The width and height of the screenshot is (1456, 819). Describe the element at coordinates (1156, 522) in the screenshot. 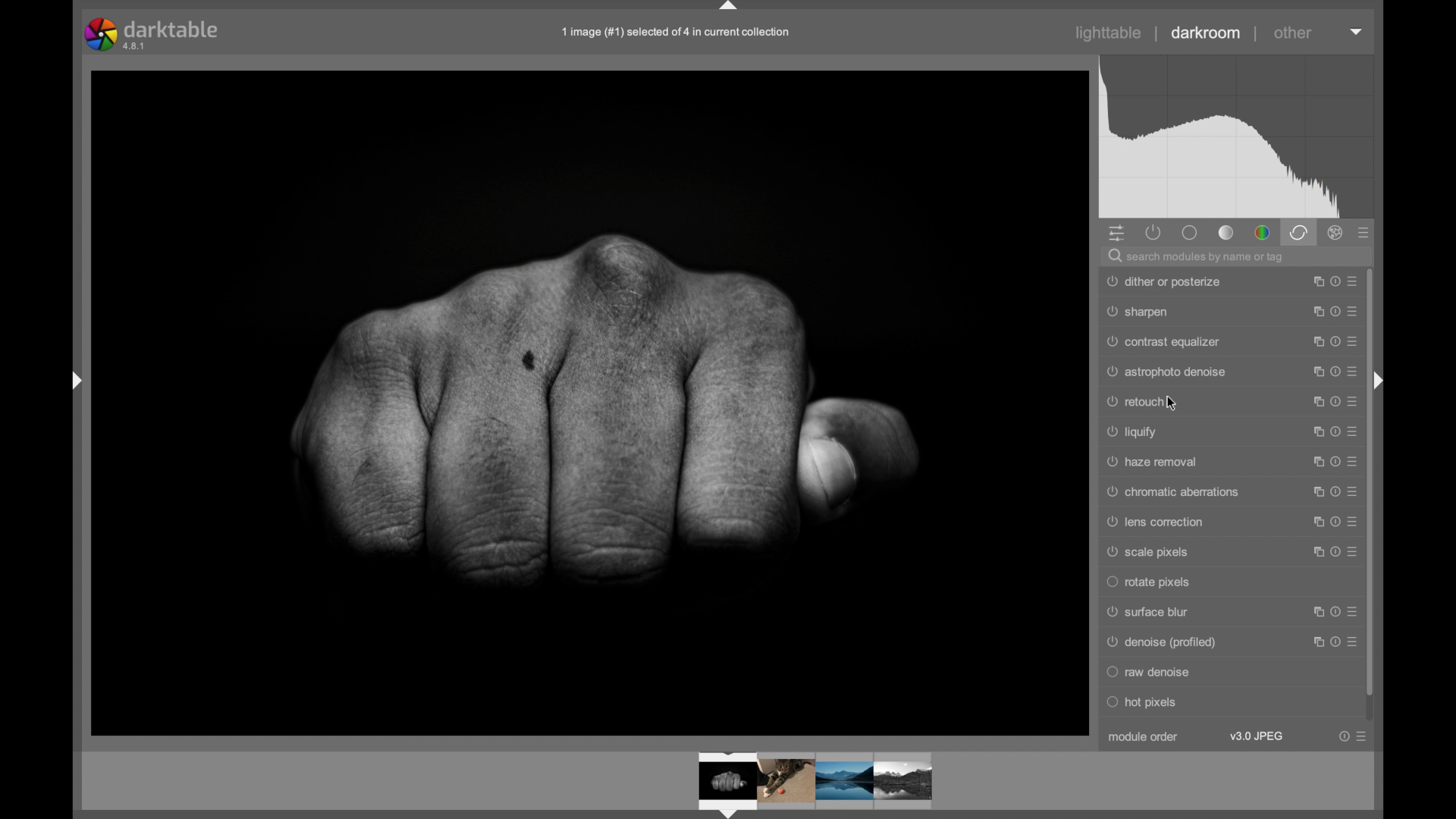

I see `lens correction` at that location.